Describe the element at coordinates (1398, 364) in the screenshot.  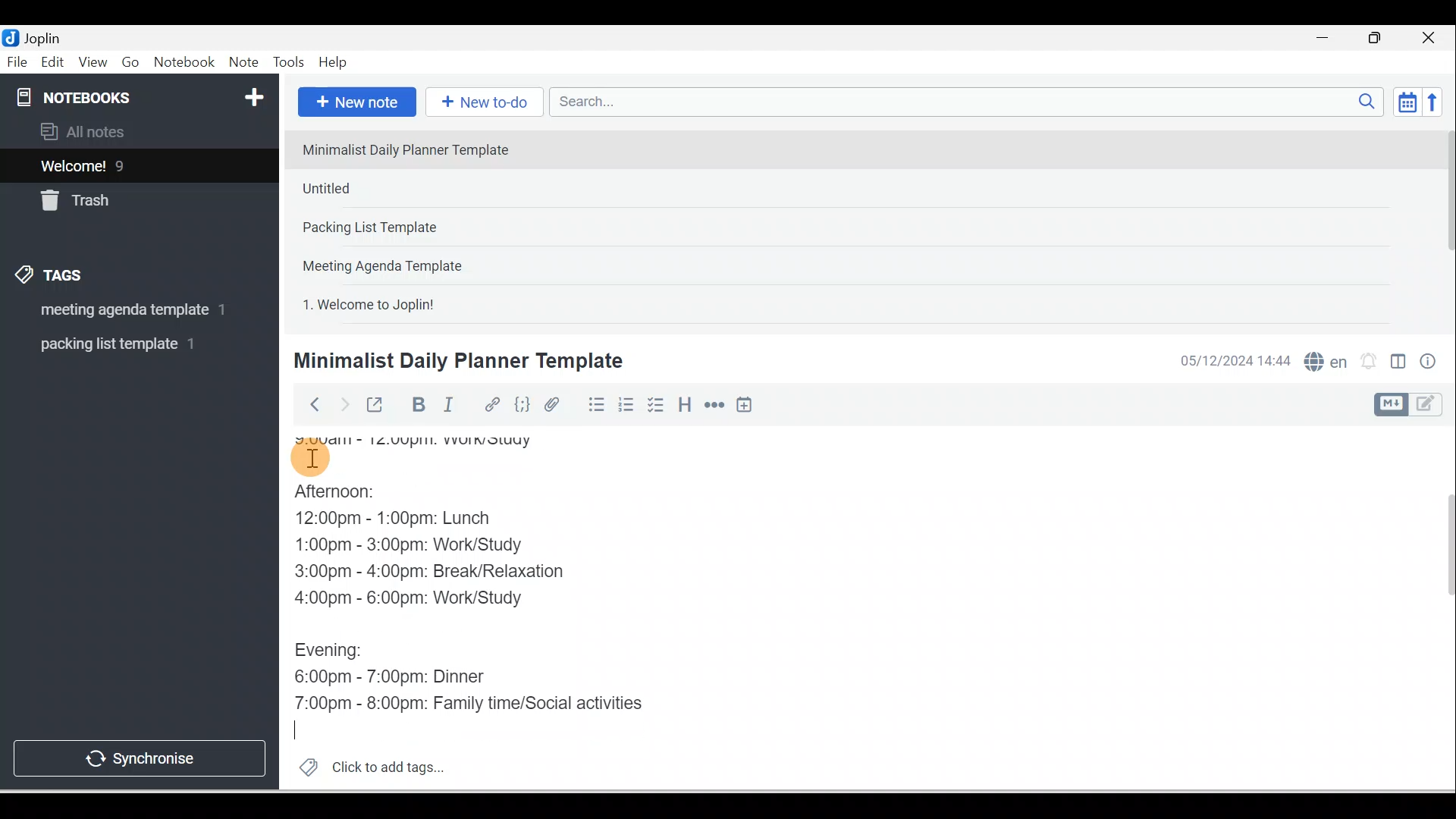
I see `Toggle editors` at that location.